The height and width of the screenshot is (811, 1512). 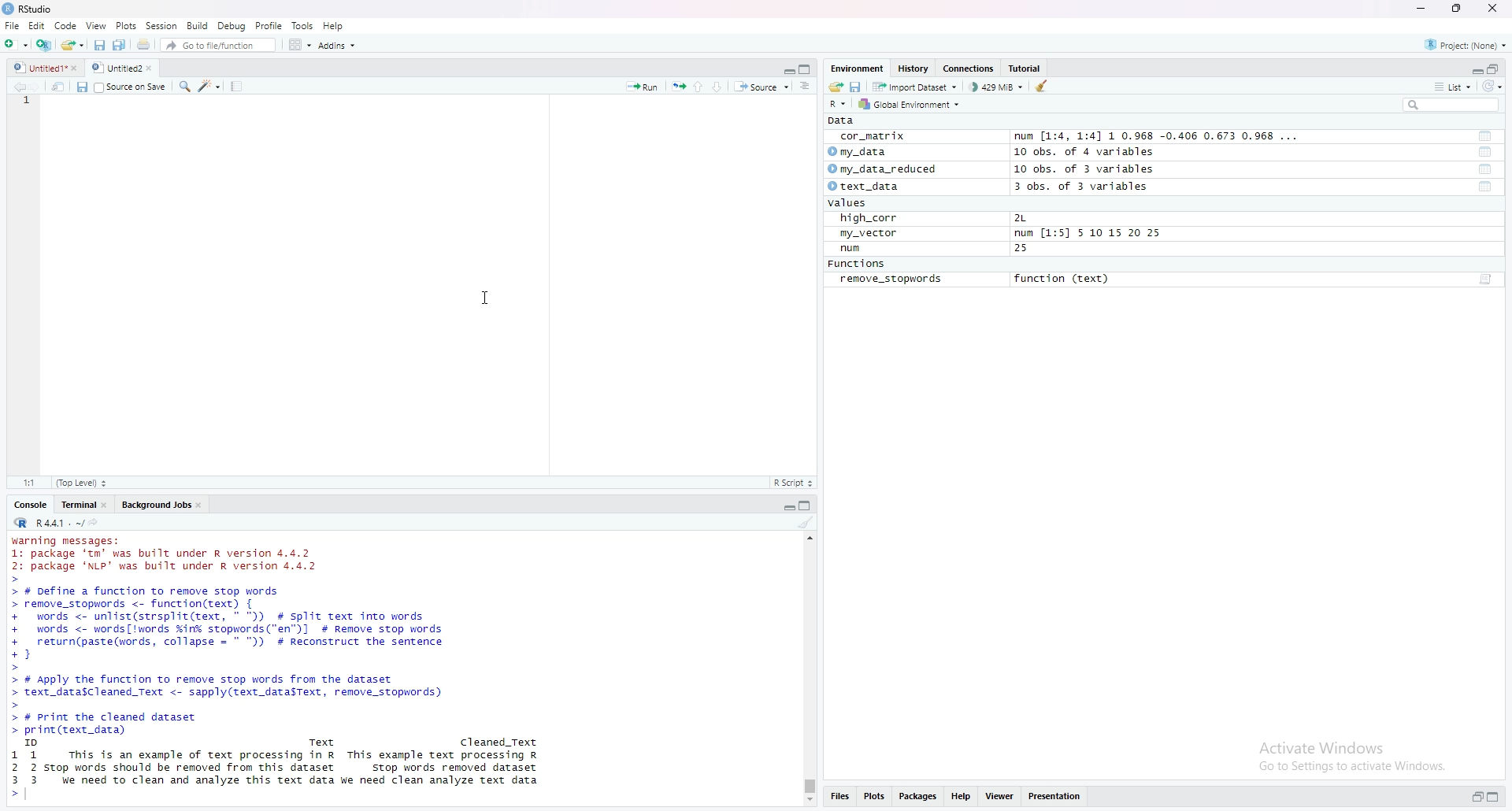 I want to click on Open, so click(x=71, y=45).